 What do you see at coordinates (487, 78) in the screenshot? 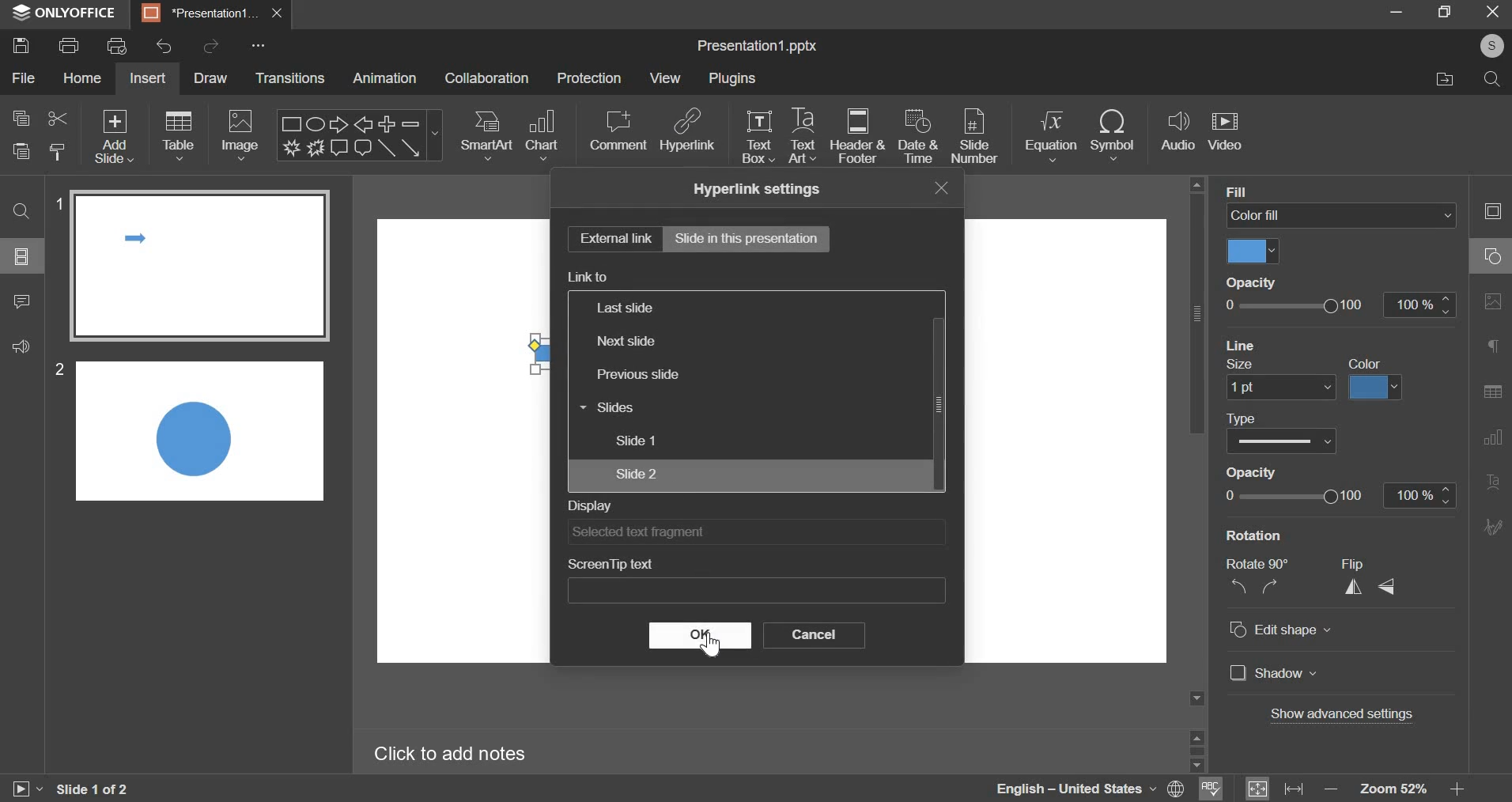
I see `collaboration` at bounding box center [487, 78].